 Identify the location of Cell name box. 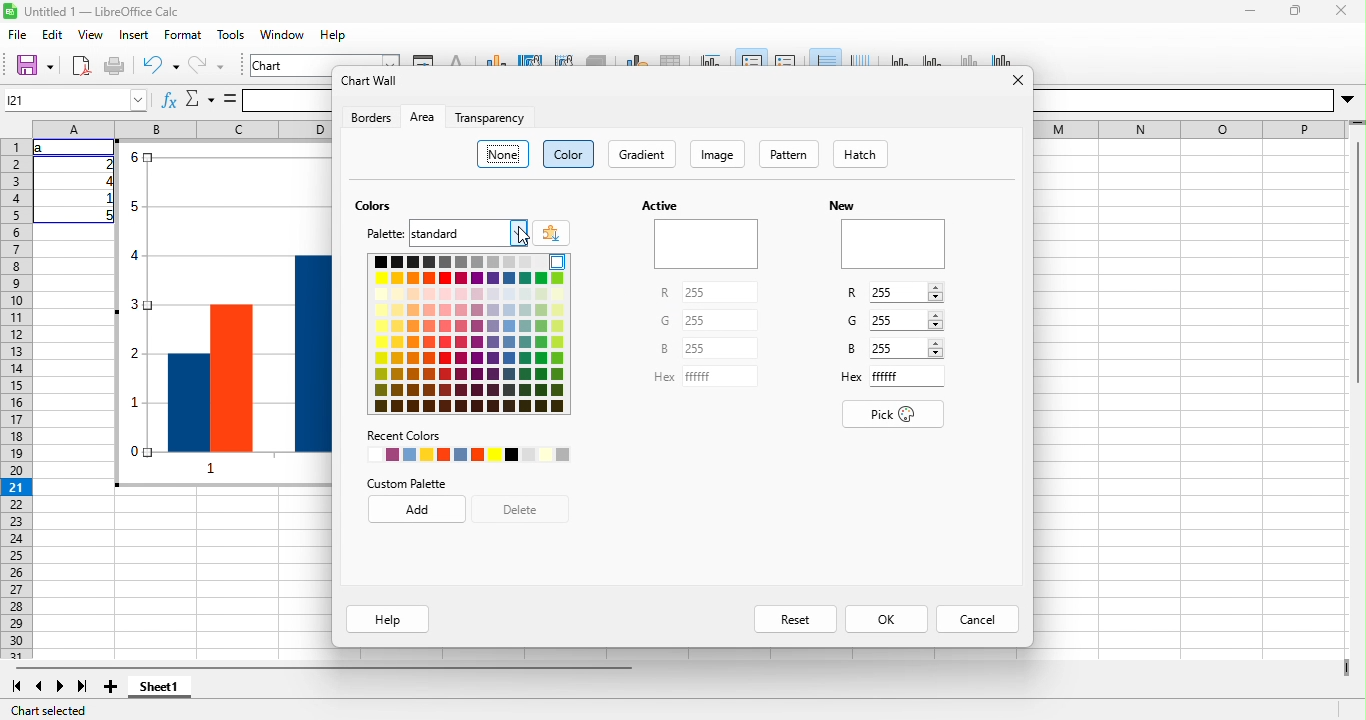
(76, 100).